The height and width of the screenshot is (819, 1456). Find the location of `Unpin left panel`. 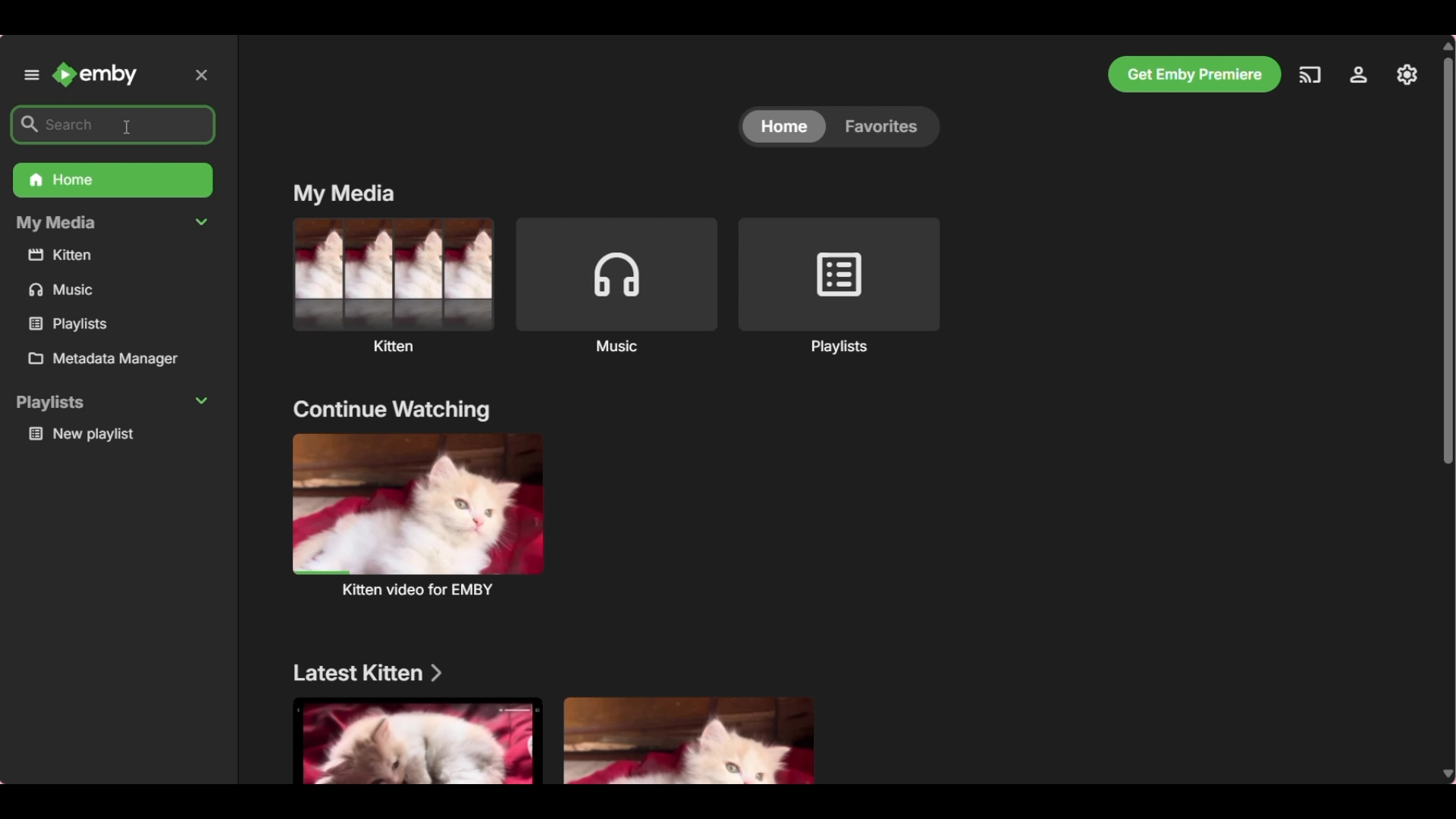

Unpin left panel is located at coordinates (31, 75).